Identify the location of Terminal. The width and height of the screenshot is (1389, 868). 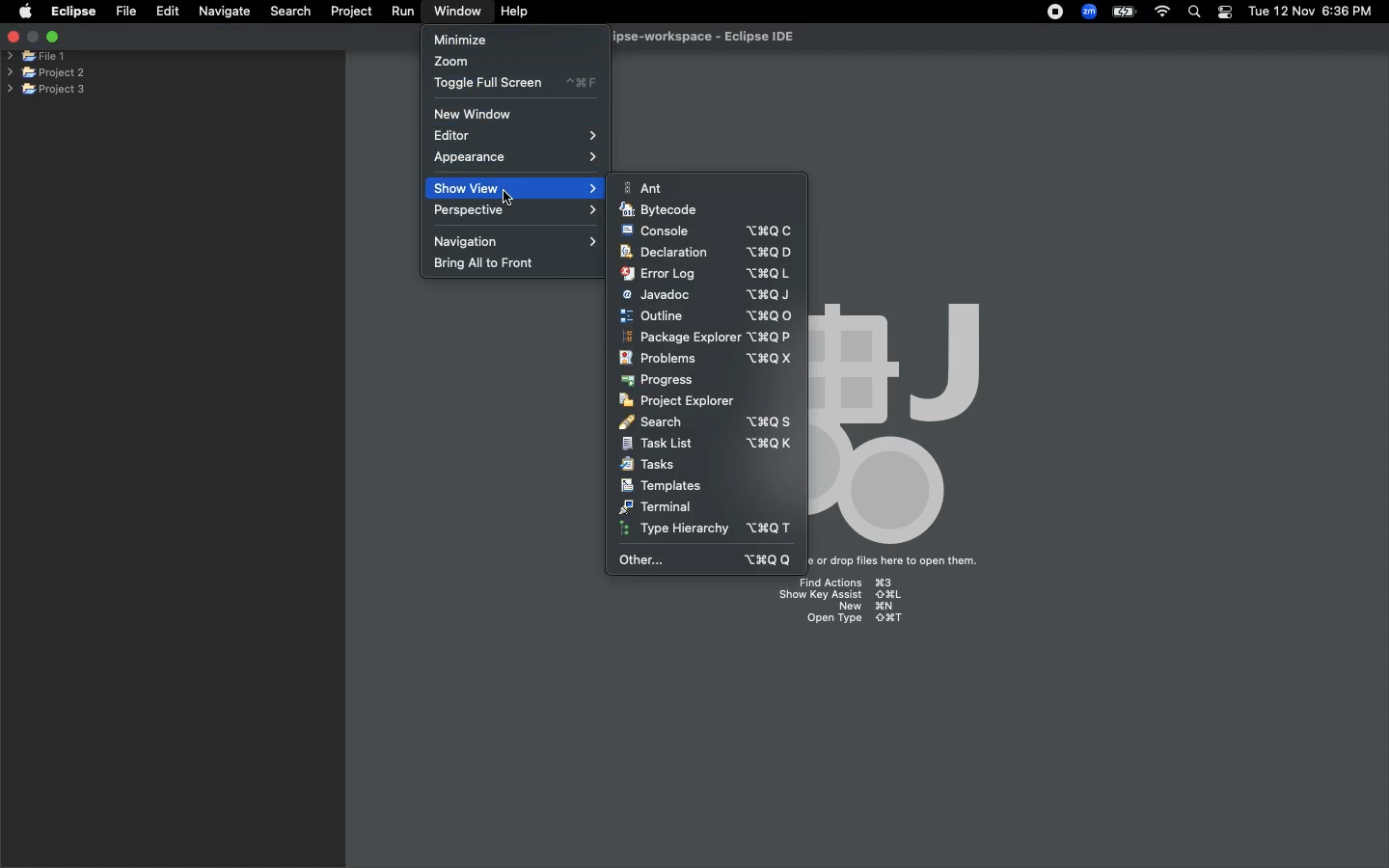
(657, 506).